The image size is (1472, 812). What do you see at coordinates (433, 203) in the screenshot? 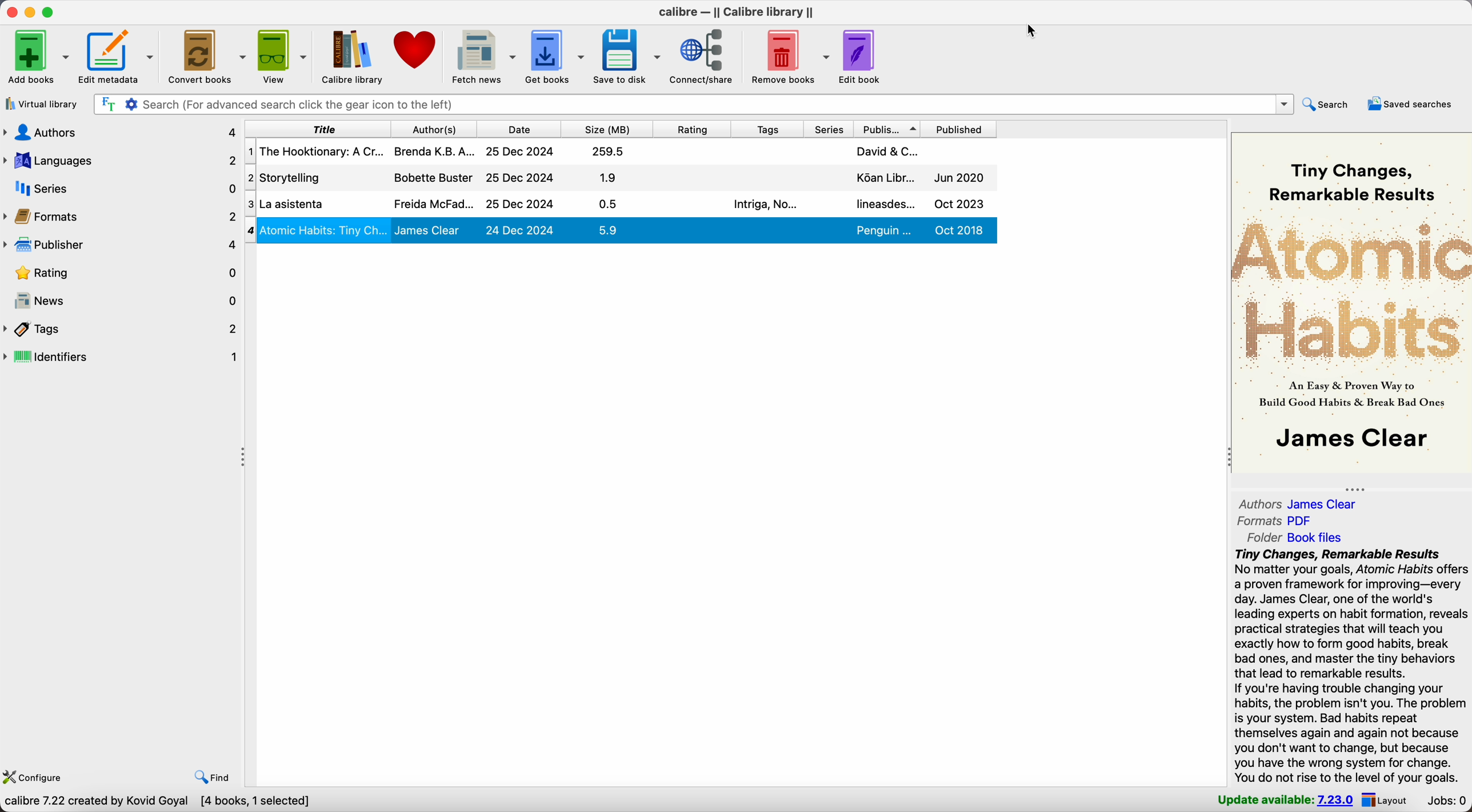
I see `freida McFad...` at bounding box center [433, 203].